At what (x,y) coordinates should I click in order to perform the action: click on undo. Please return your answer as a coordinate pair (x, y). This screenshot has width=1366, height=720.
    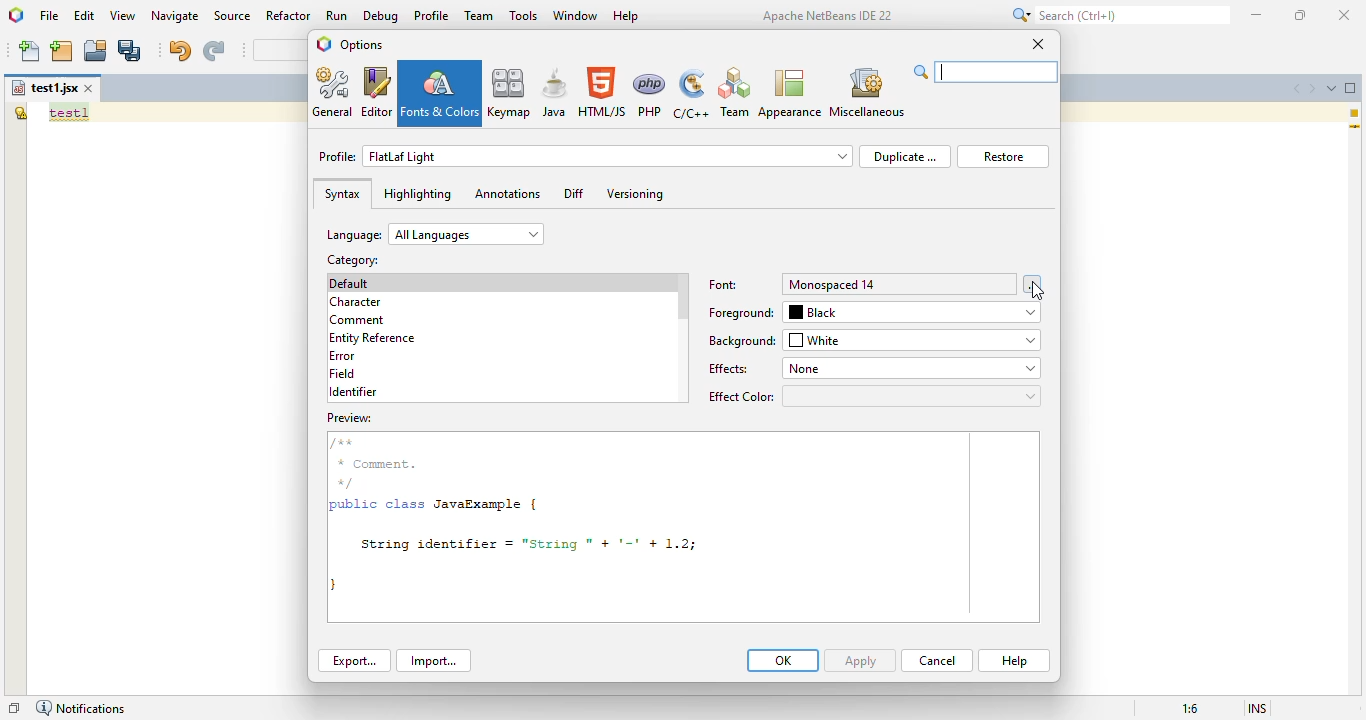
    Looking at the image, I should click on (179, 50).